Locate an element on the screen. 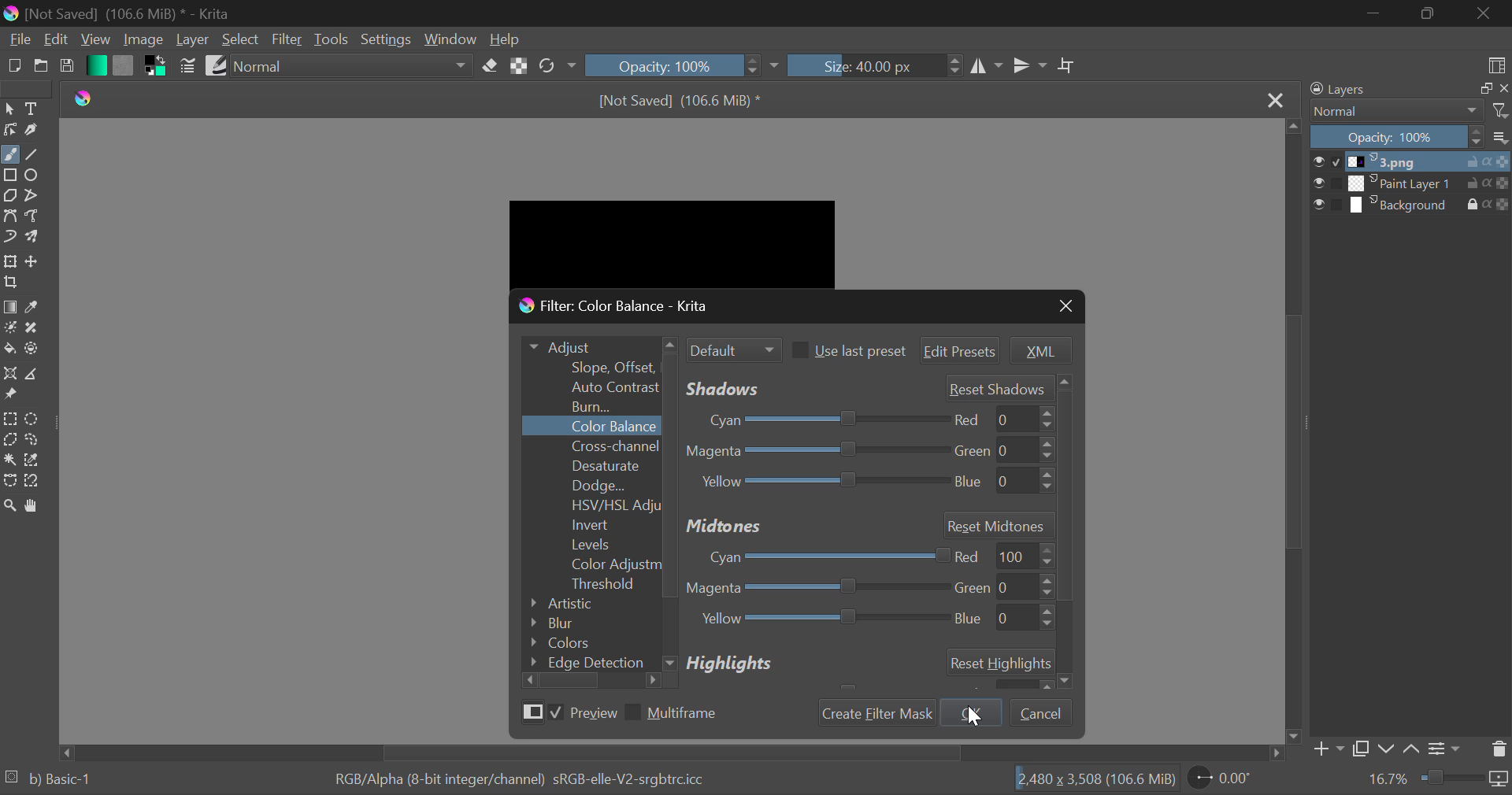 The height and width of the screenshot is (795, 1512). XML is located at coordinates (1039, 349).